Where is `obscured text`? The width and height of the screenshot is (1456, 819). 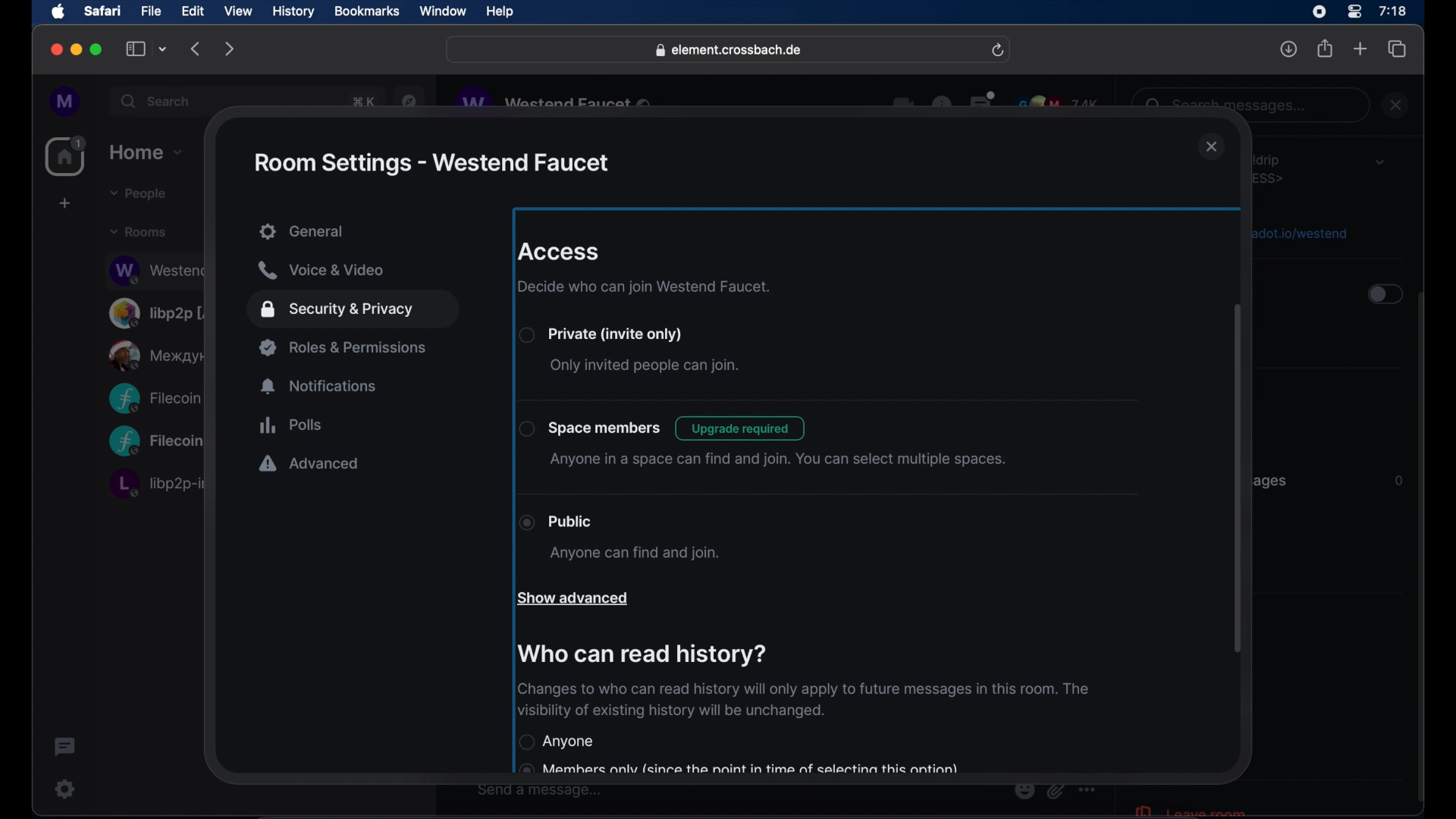 obscured text is located at coordinates (739, 768).